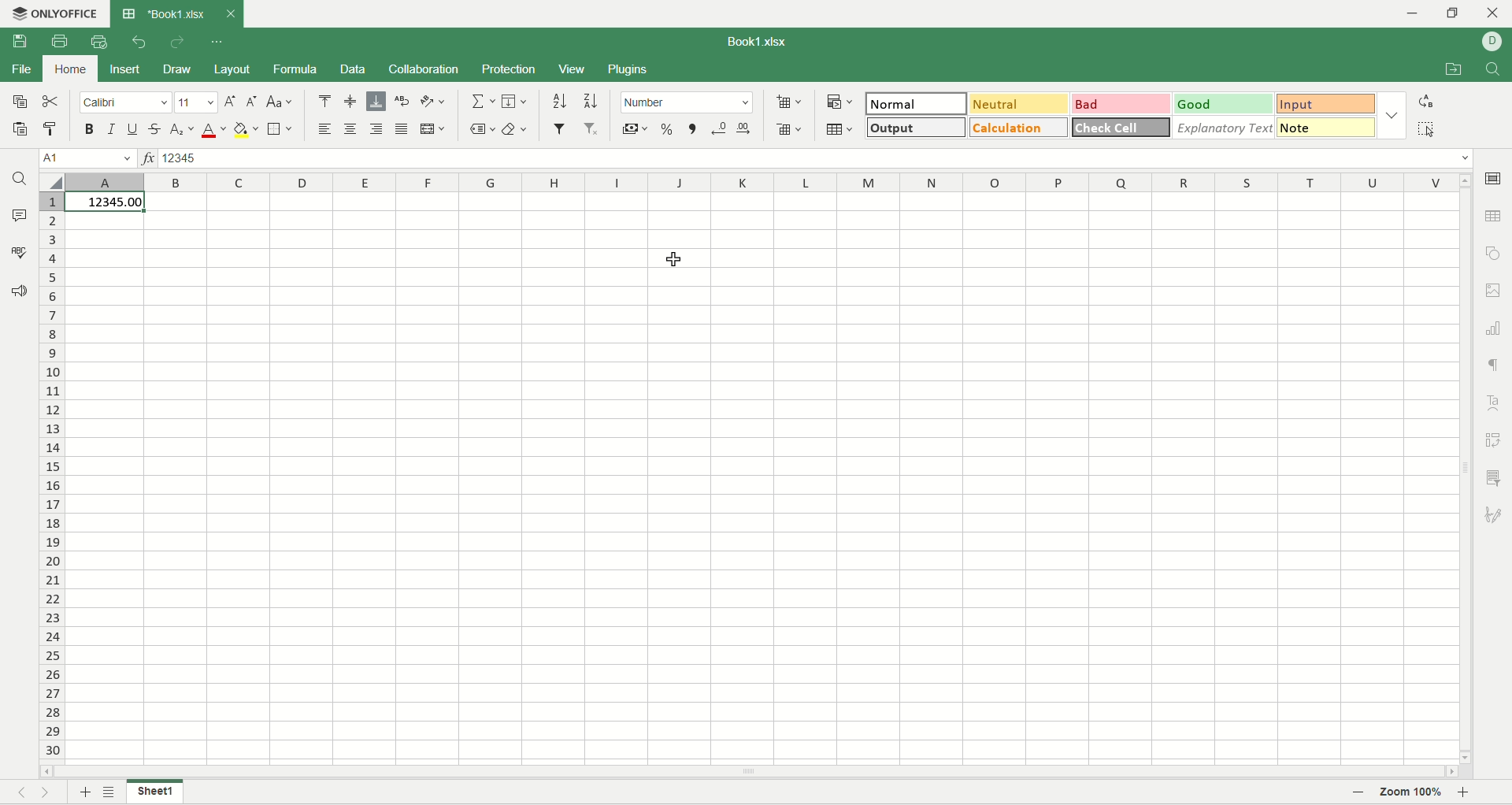 This screenshot has width=1512, height=805. Describe the element at coordinates (195, 103) in the screenshot. I see `font size` at that location.